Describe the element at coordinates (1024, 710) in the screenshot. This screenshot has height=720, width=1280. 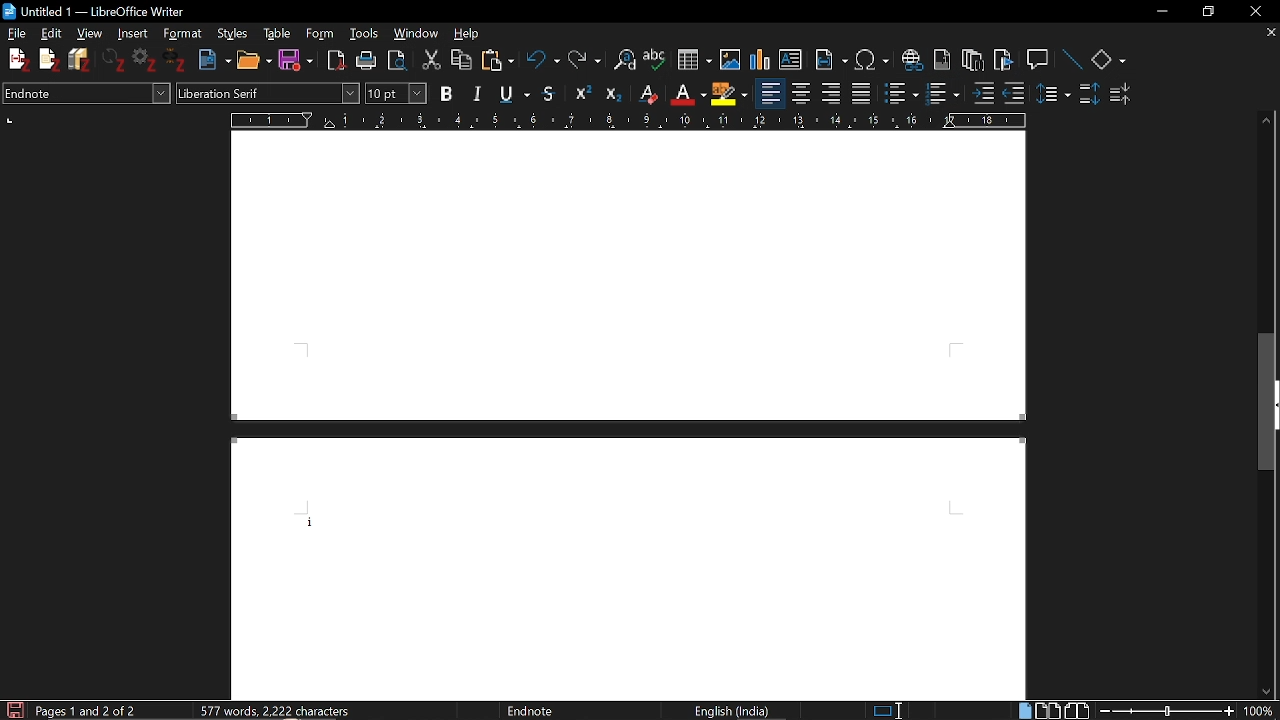
I see `Single page view` at that location.